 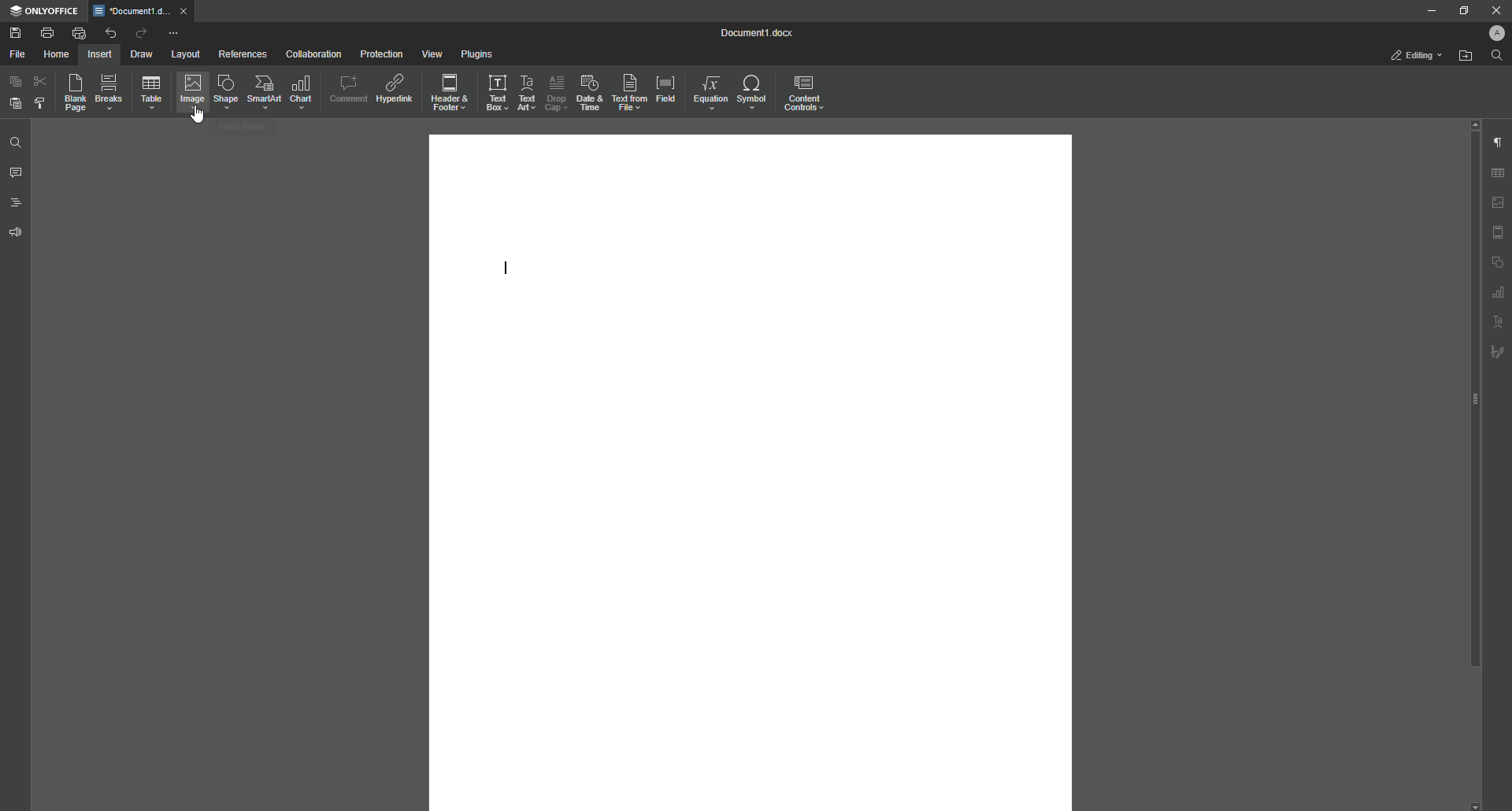 I want to click on References, so click(x=239, y=55).